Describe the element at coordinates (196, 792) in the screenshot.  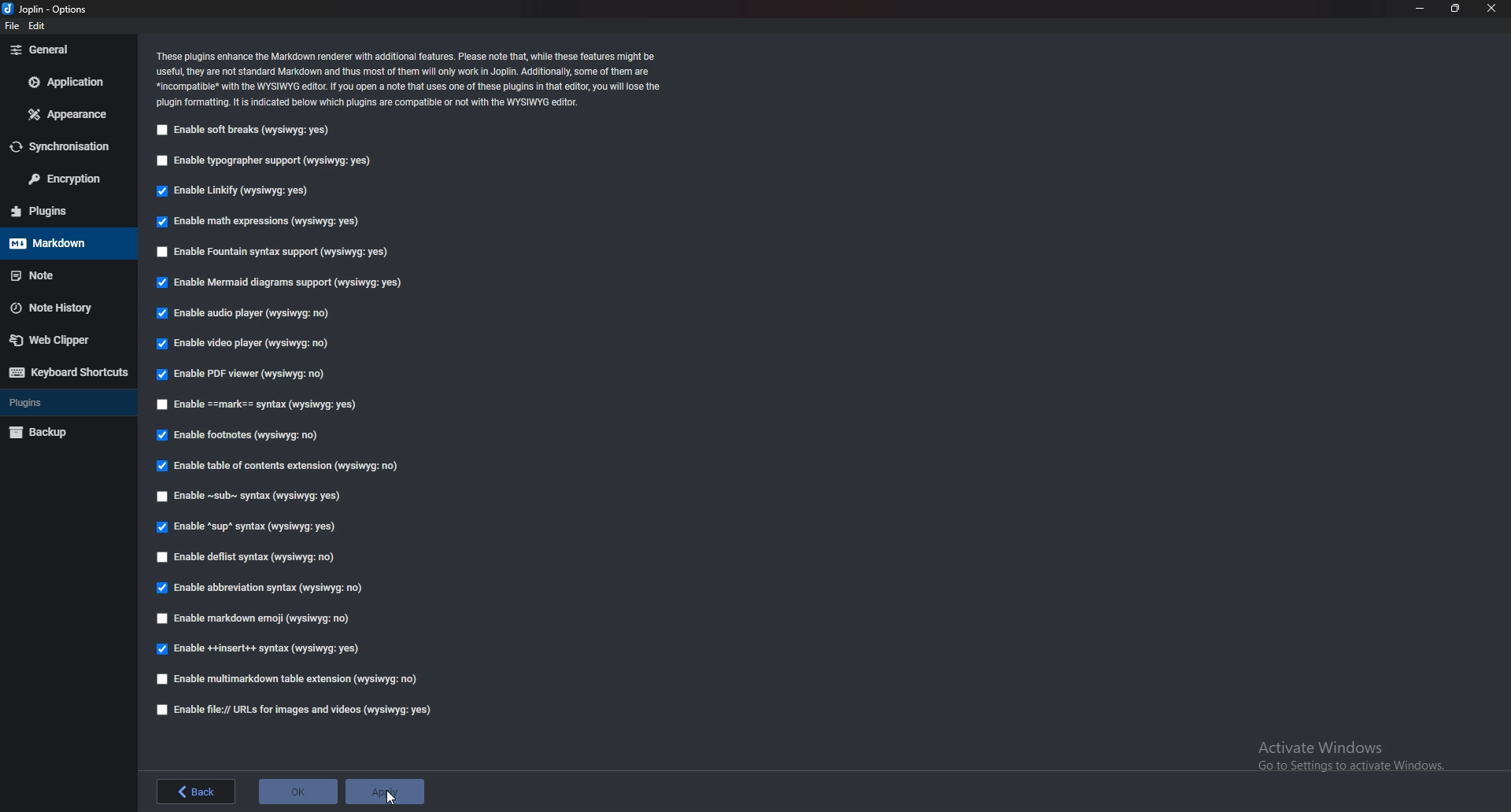
I see `back` at that location.